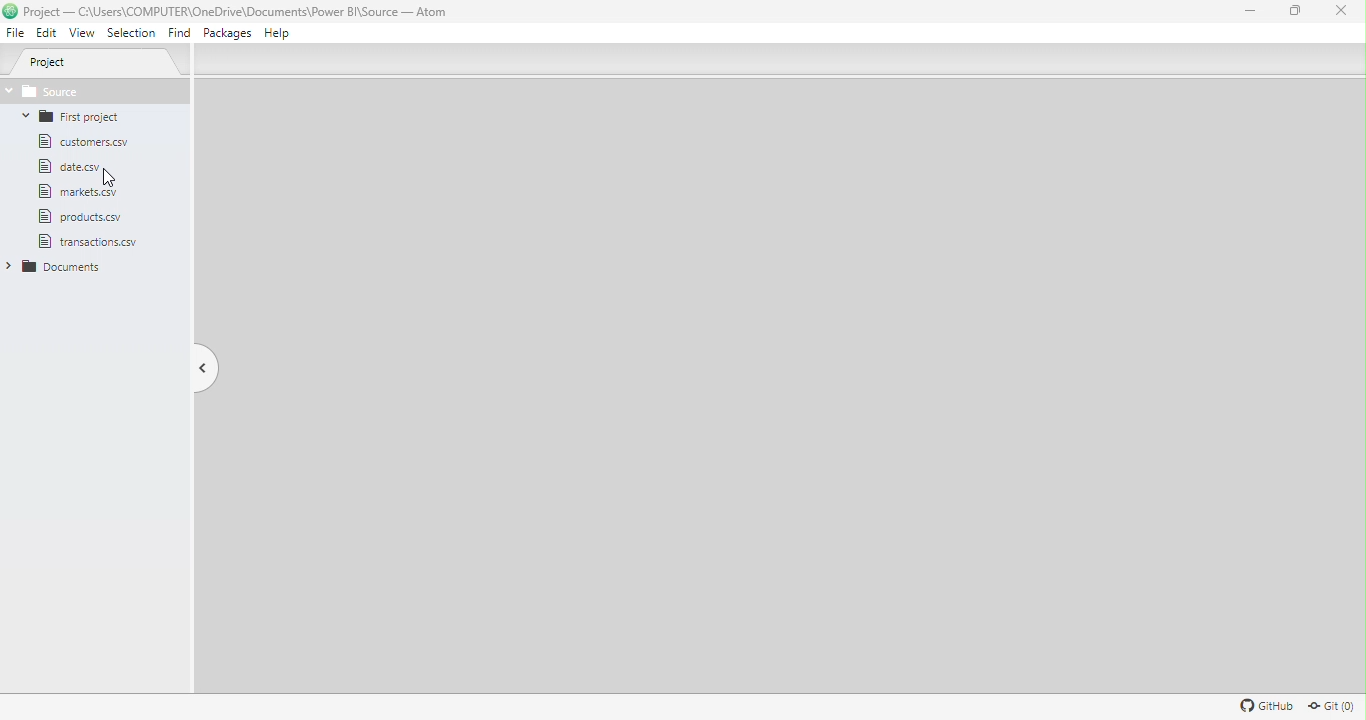 This screenshot has height=720, width=1366. I want to click on Folder, so click(56, 266).